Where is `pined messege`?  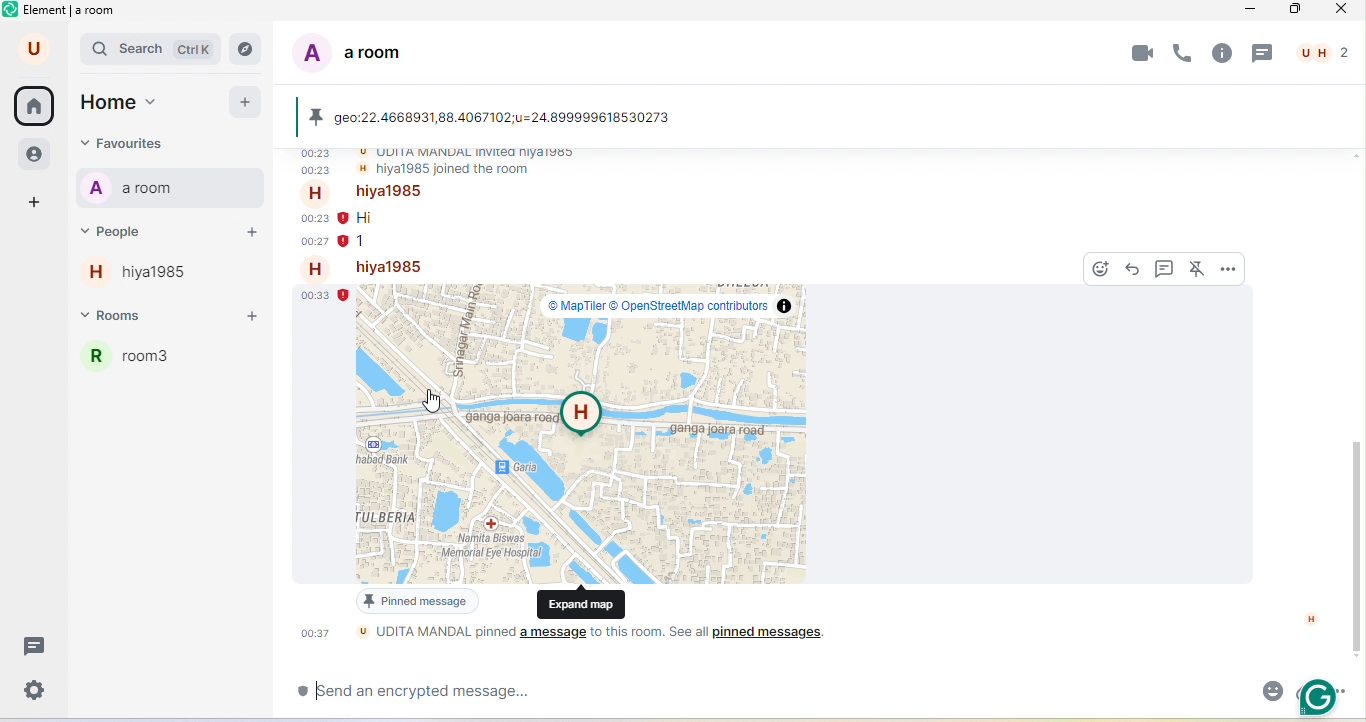
pined messege is located at coordinates (416, 603).